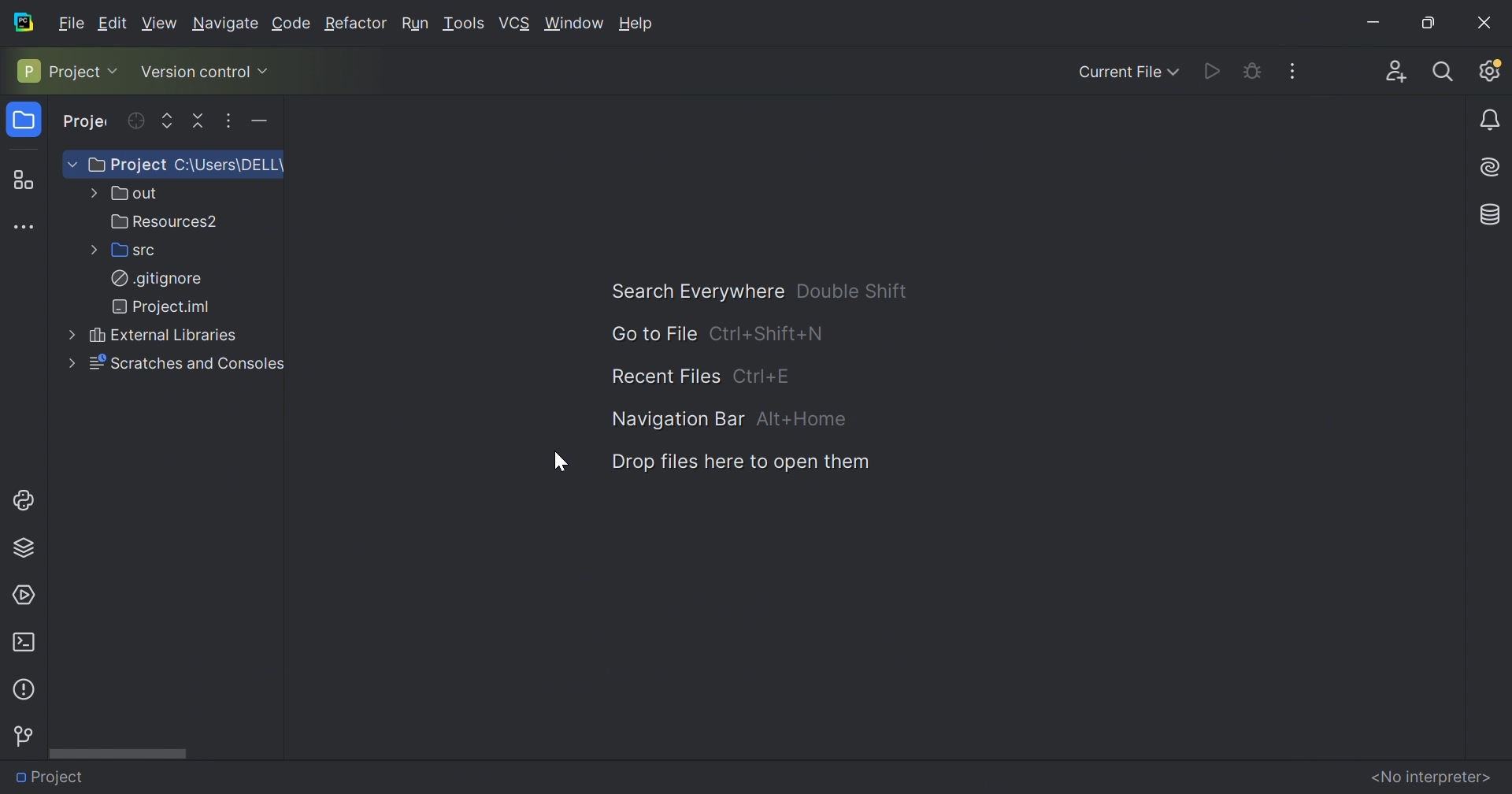 Image resolution: width=1512 pixels, height=794 pixels. I want to click on Hide, so click(265, 121).